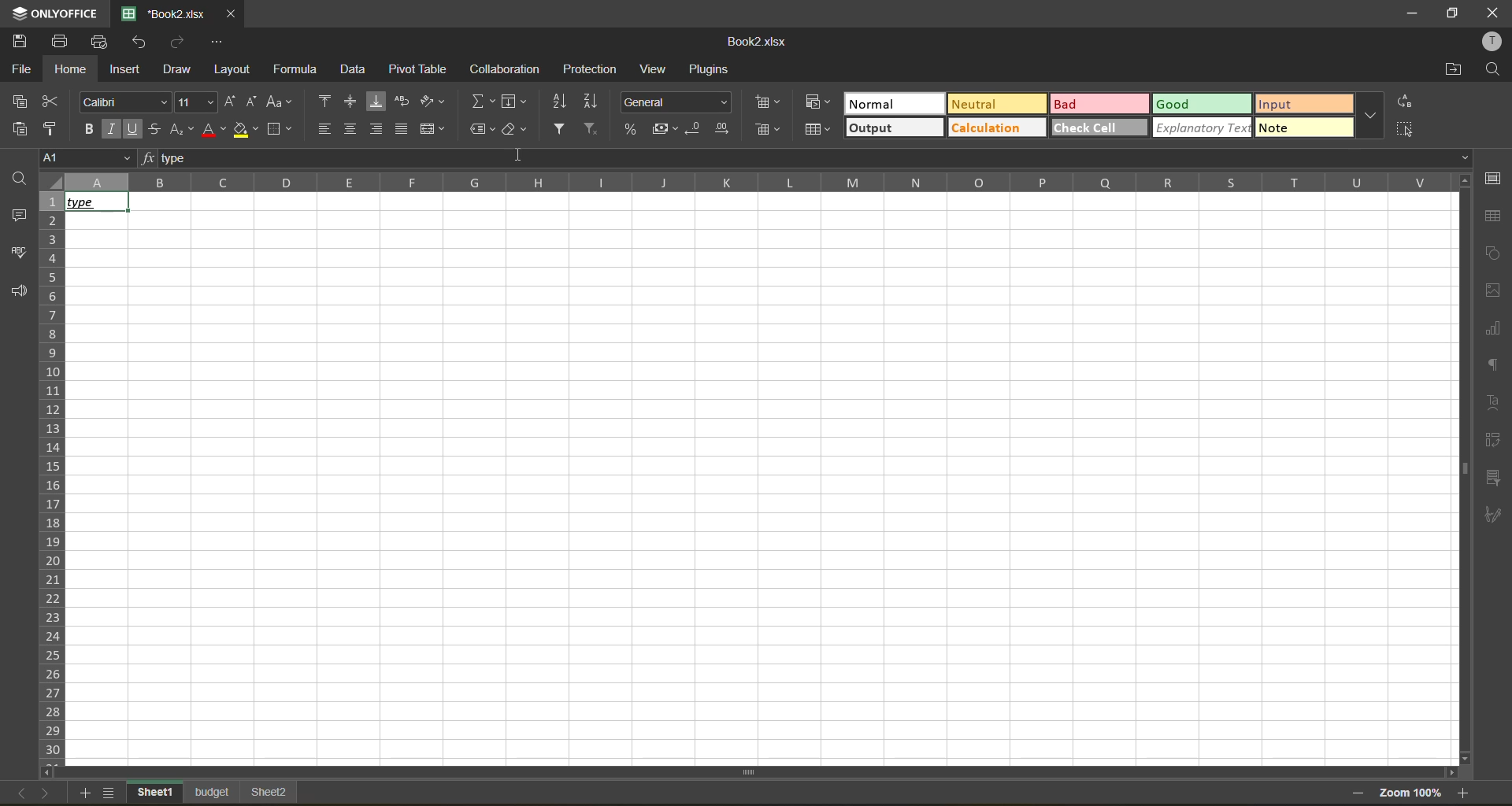 The height and width of the screenshot is (806, 1512). What do you see at coordinates (1492, 13) in the screenshot?
I see `close` at bounding box center [1492, 13].